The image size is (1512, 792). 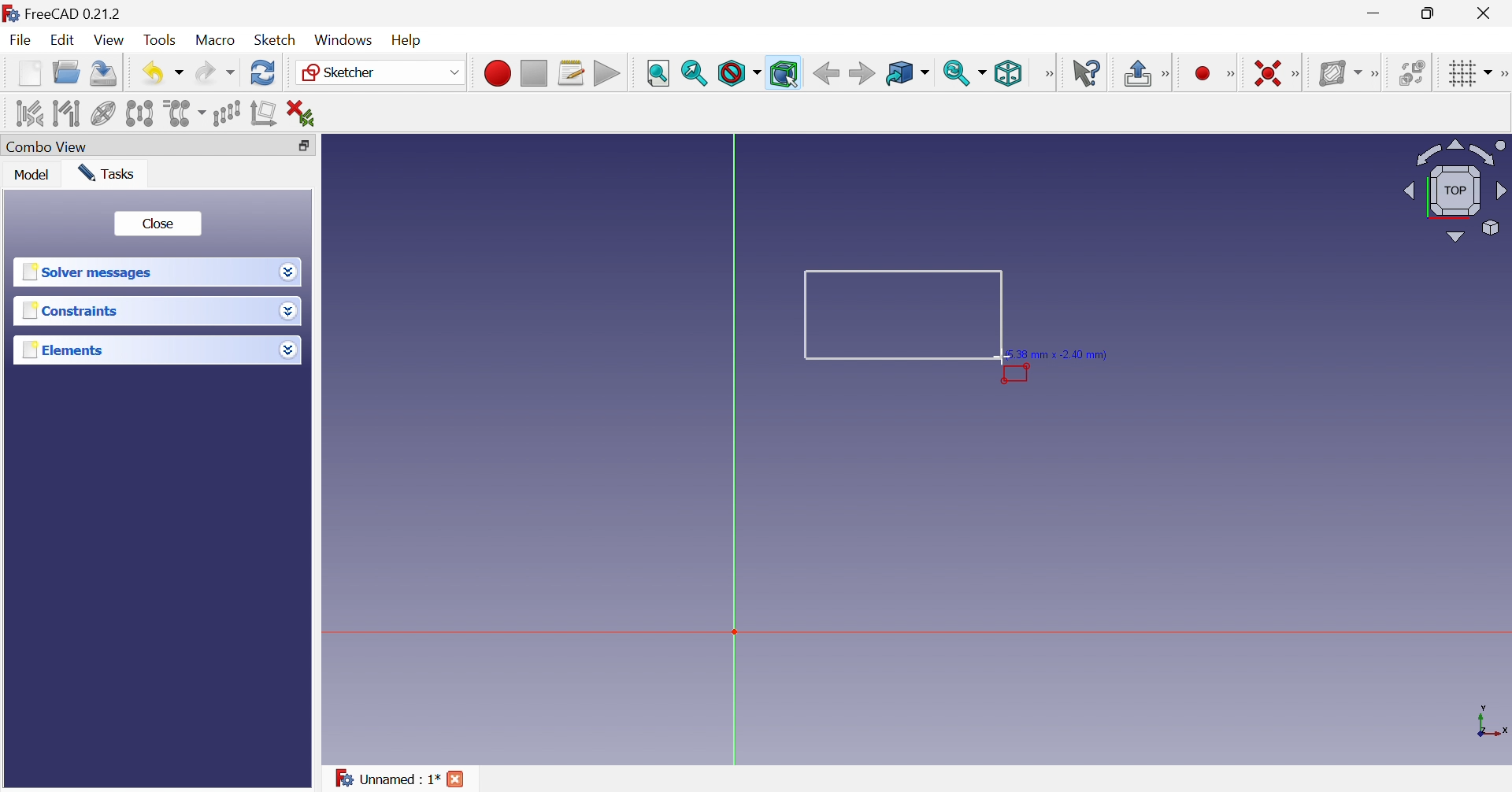 I want to click on Back, so click(x=826, y=74).